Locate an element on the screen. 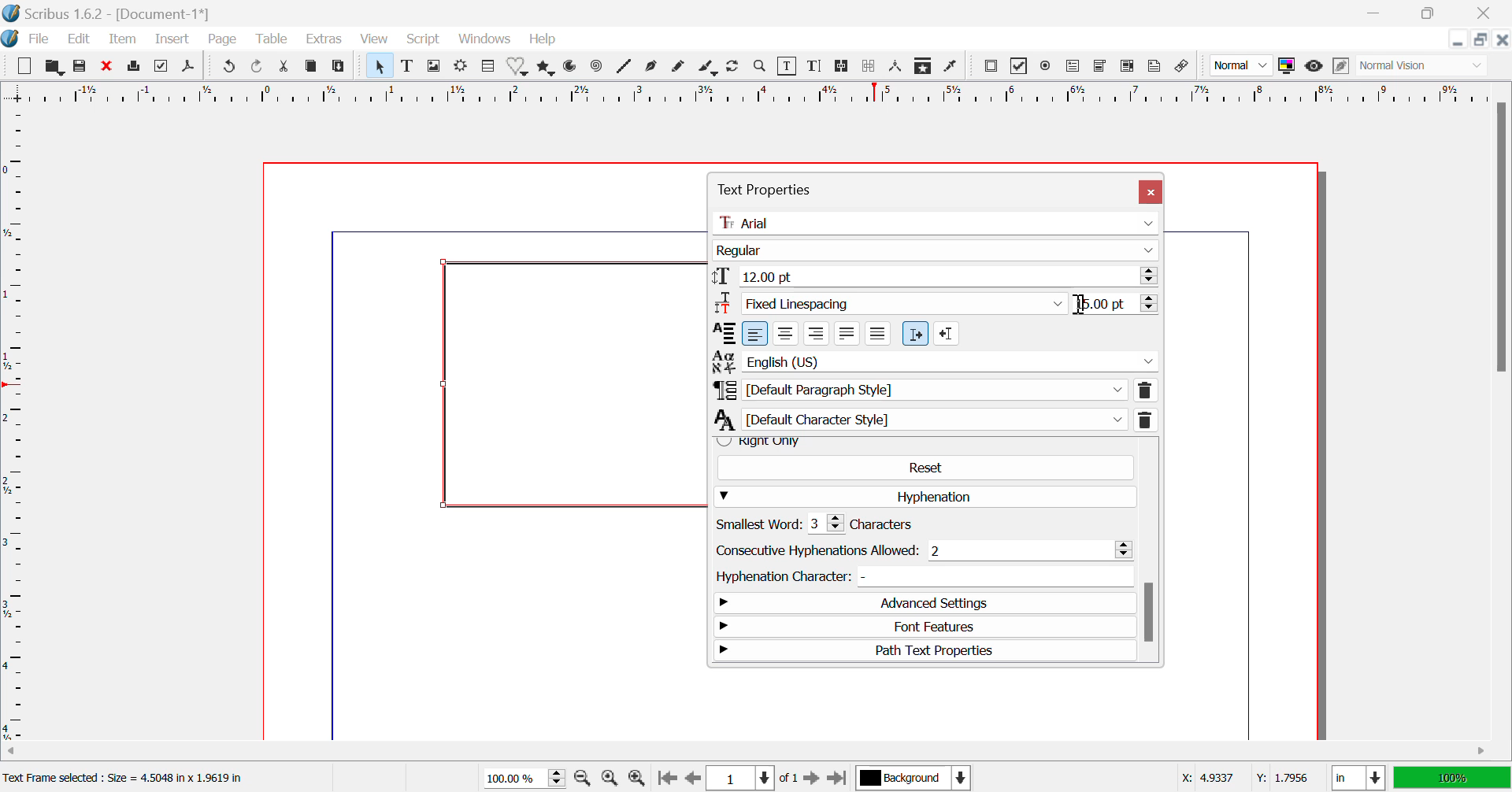  Page 1 of 1 is located at coordinates (752, 777).